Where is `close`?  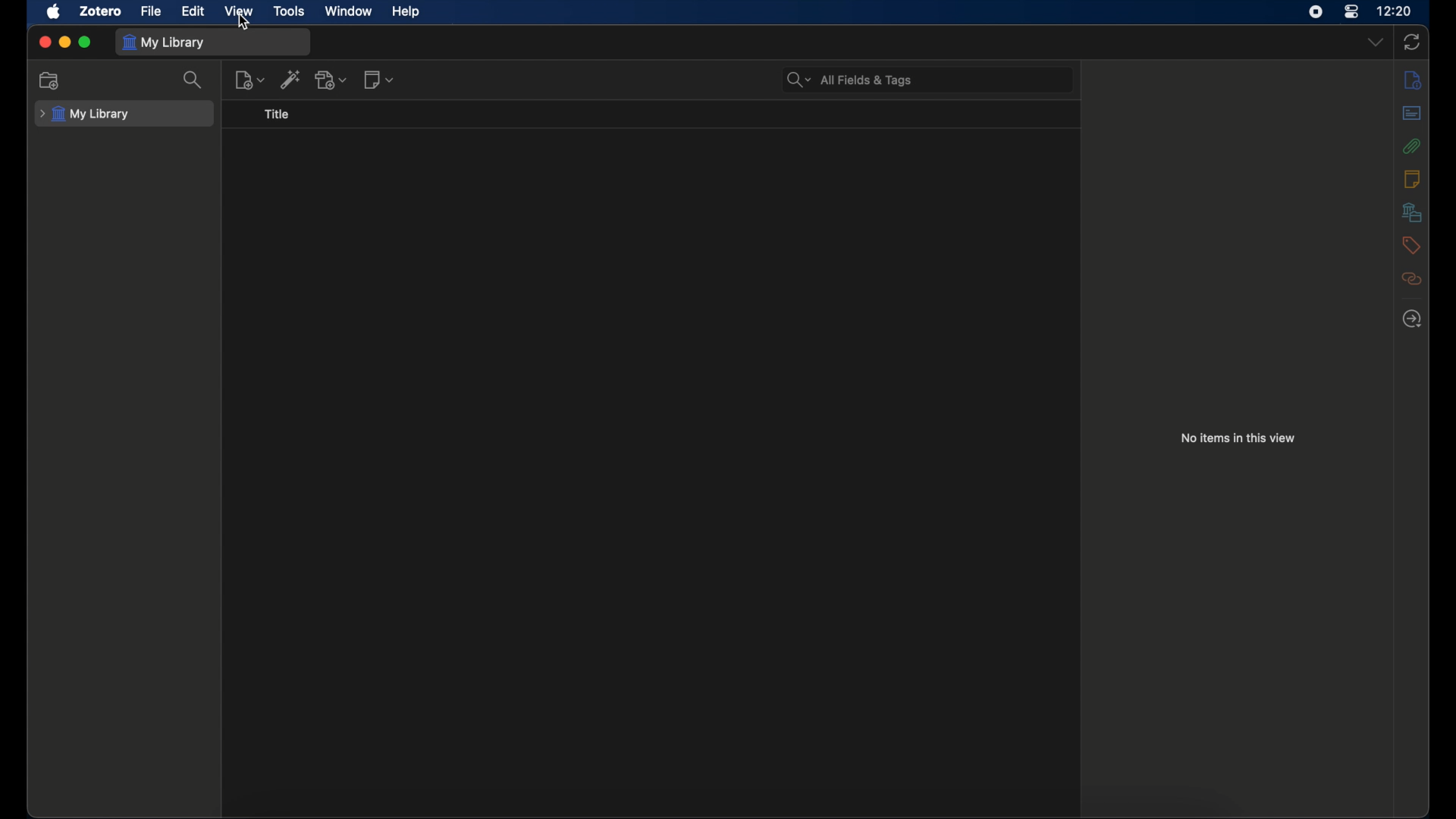 close is located at coordinates (44, 42).